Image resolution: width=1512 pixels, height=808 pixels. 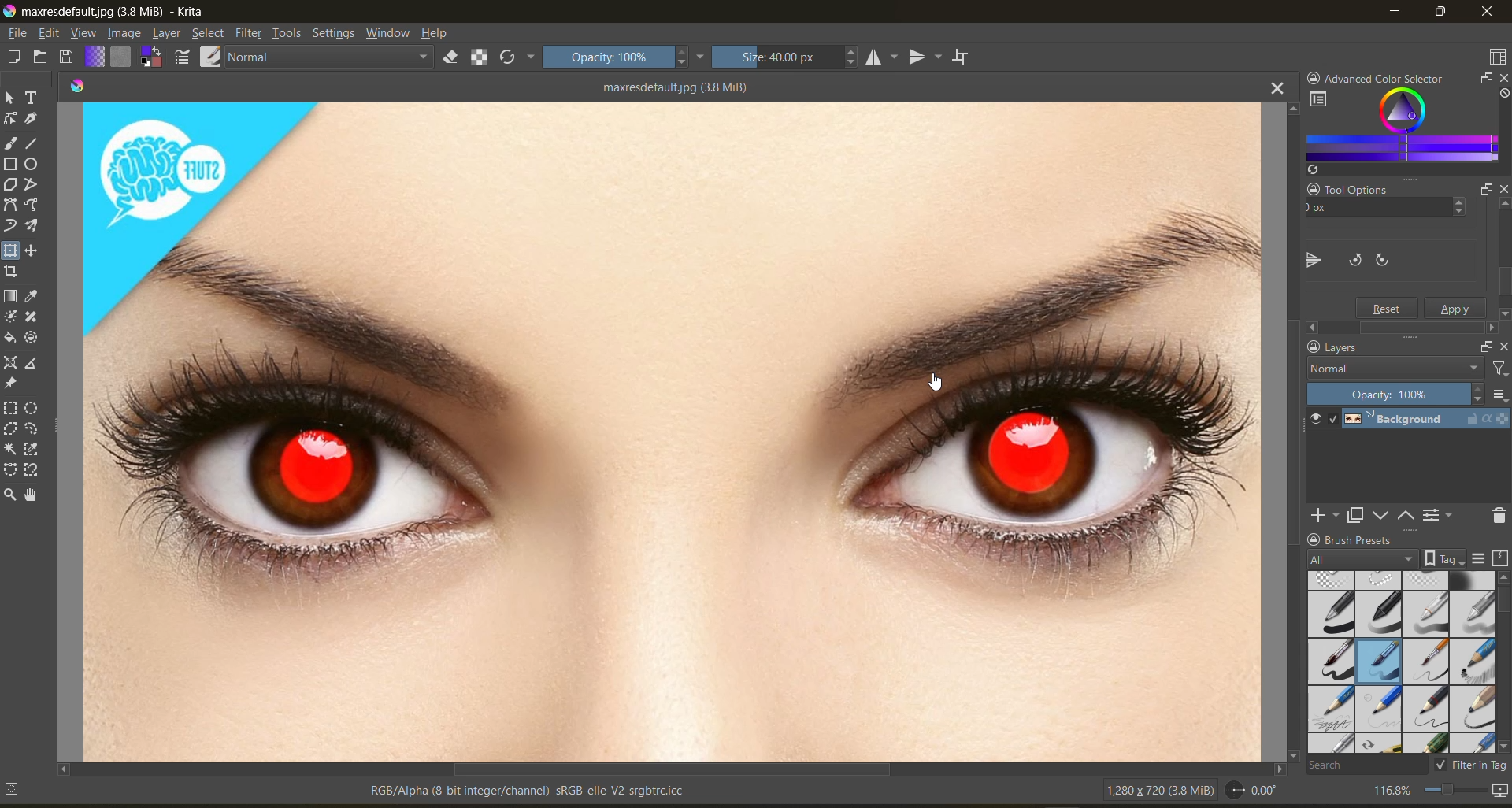 I want to click on tool, so click(x=33, y=96).